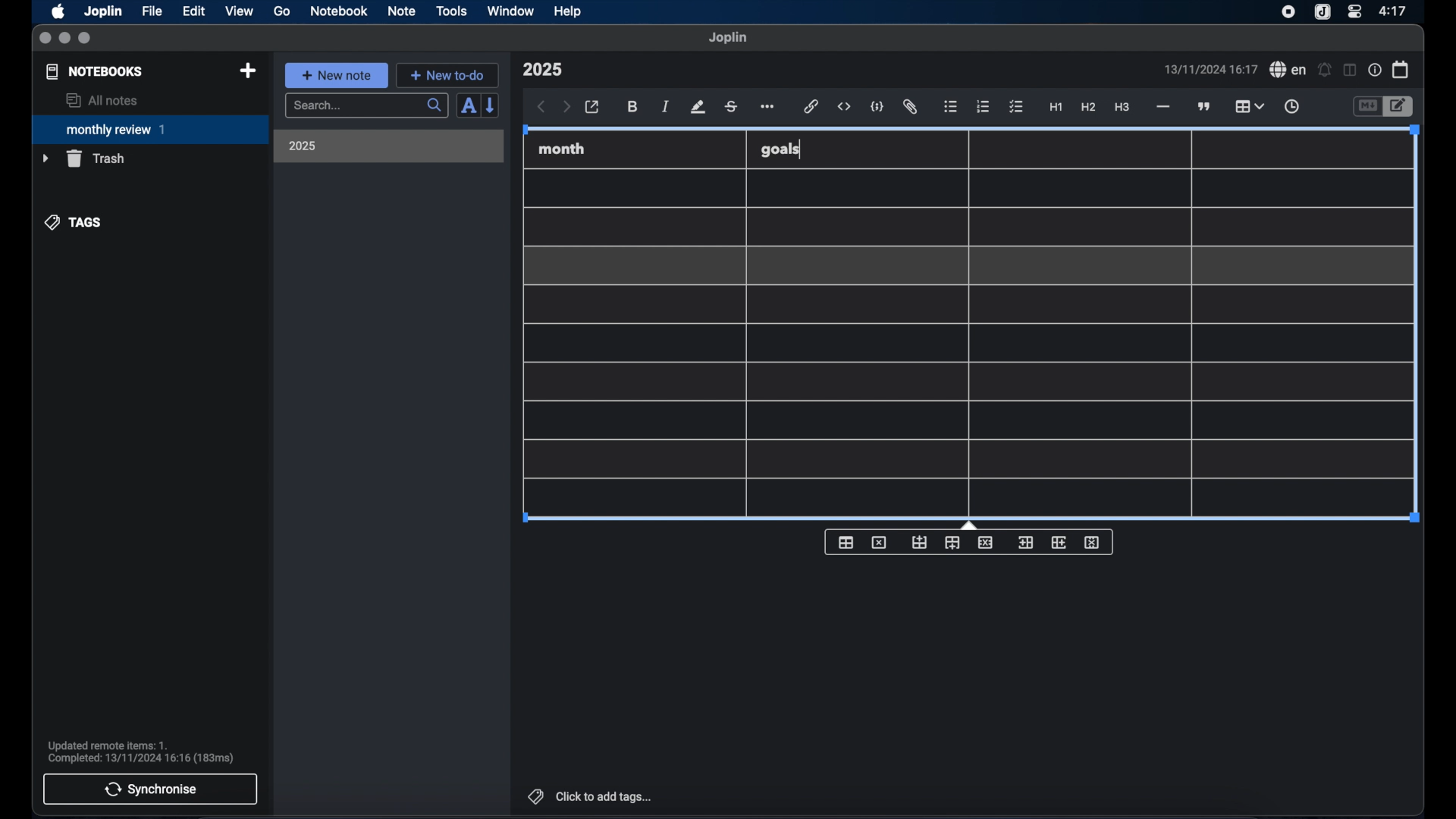  What do you see at coordinates (511, 11) in the screenshot?
I see `window` at bounding box center [511, 11].